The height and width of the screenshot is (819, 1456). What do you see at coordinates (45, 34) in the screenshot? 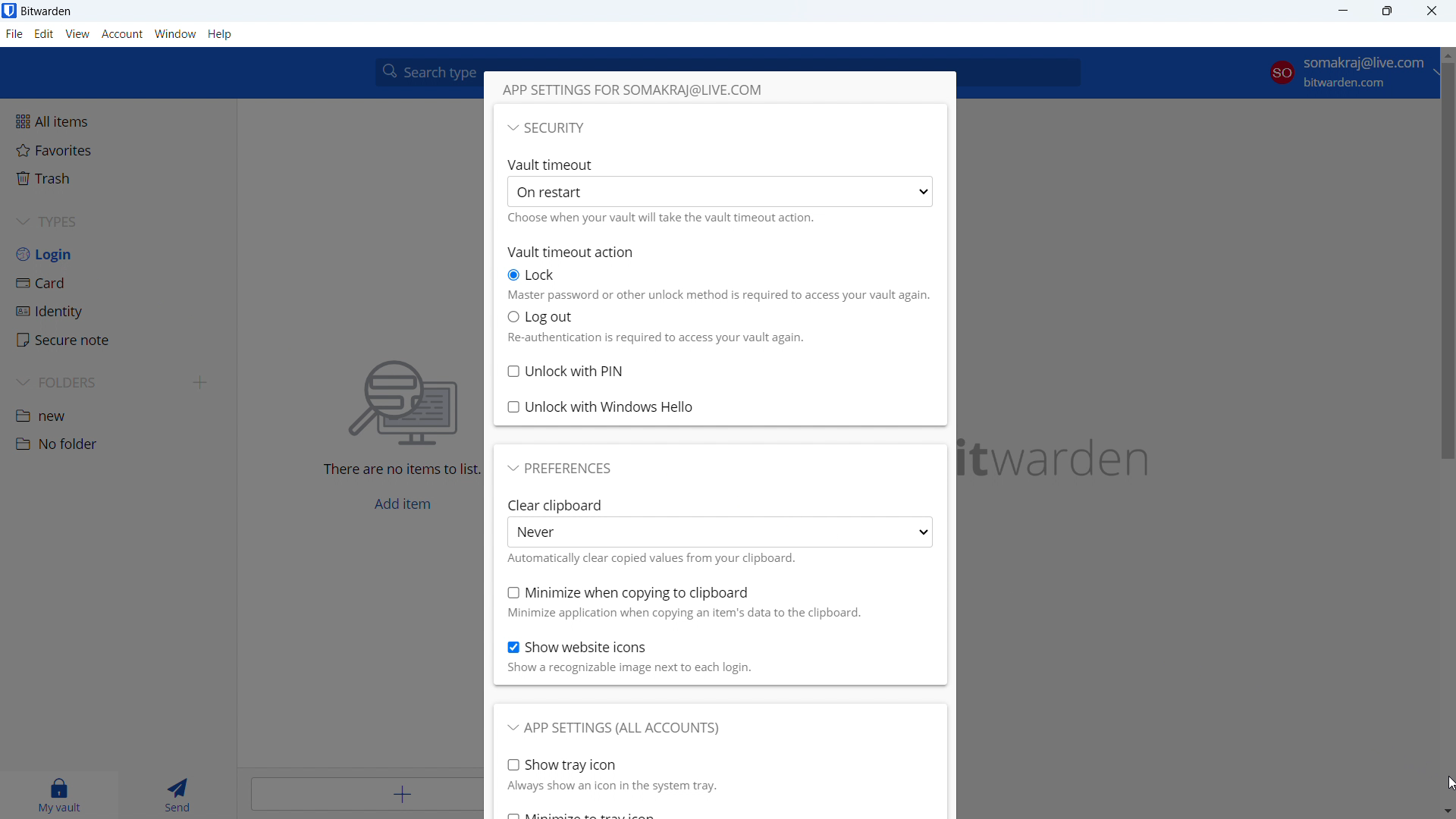
I see `edit` at bounding box center [45, 34].